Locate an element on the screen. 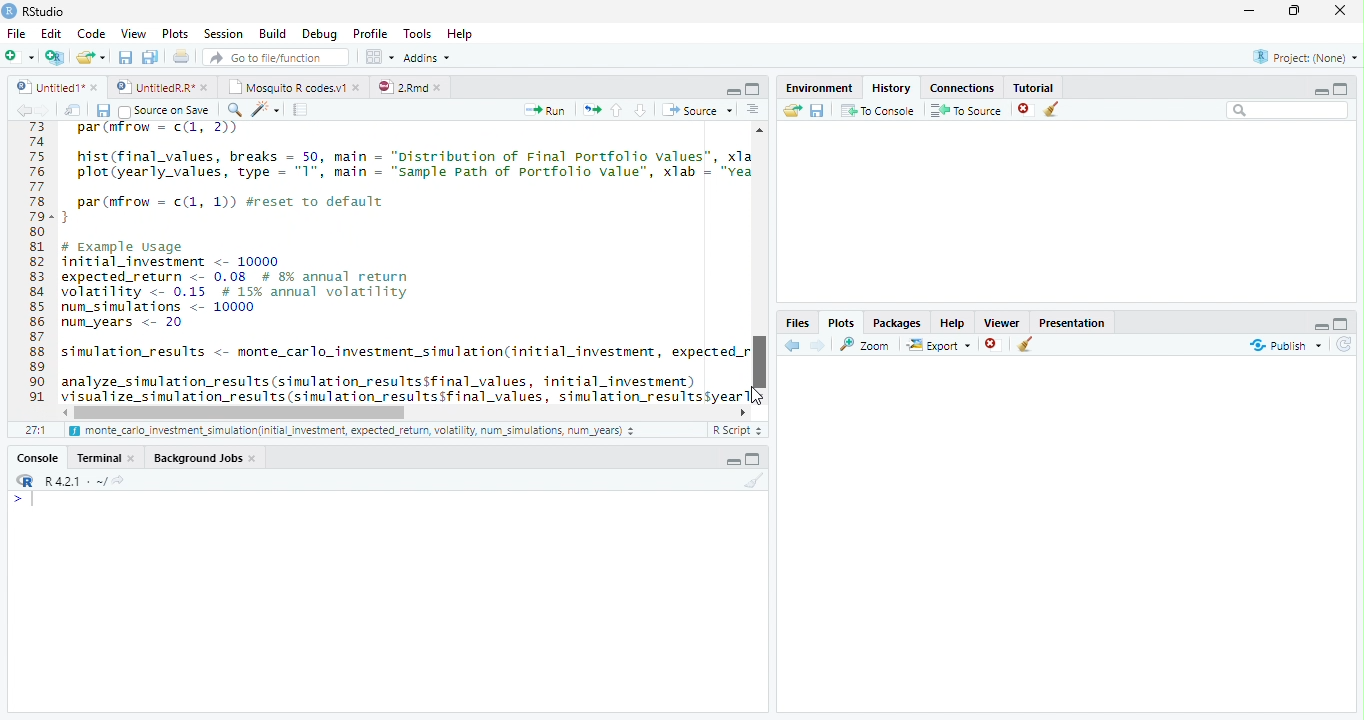 The height and width of the screenshot is (720, 1364). Build is located at coordinates (273, 34).